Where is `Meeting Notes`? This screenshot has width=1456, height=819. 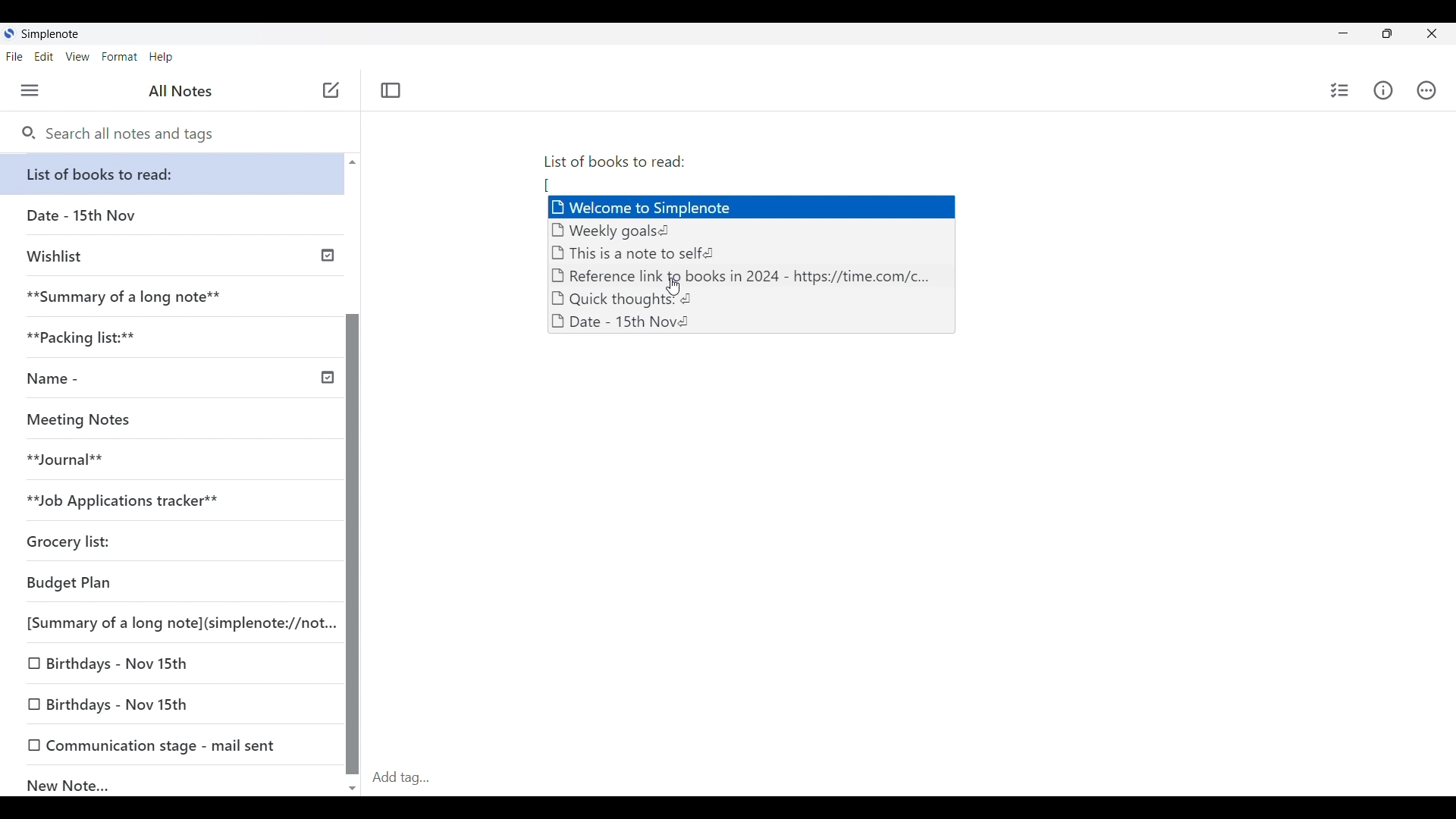
Meeting Notes is located at coordinates (167, 420).